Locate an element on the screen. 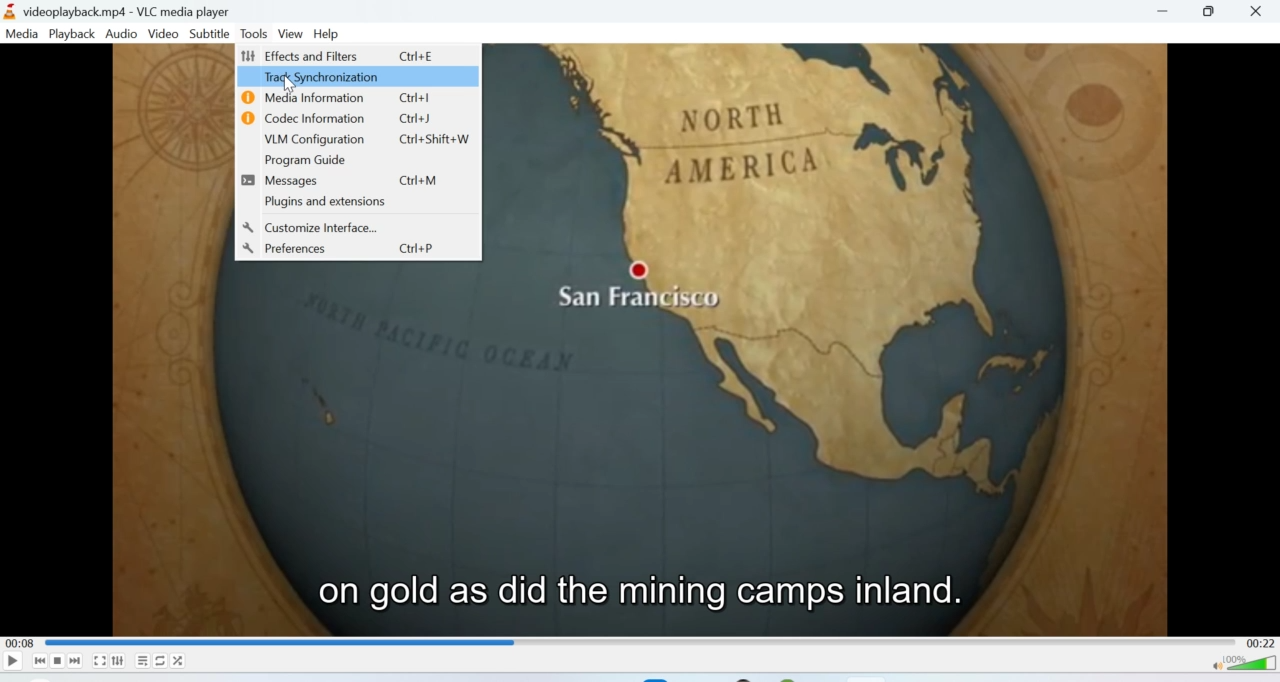  Shuffle is located at coordinates (179, 662).